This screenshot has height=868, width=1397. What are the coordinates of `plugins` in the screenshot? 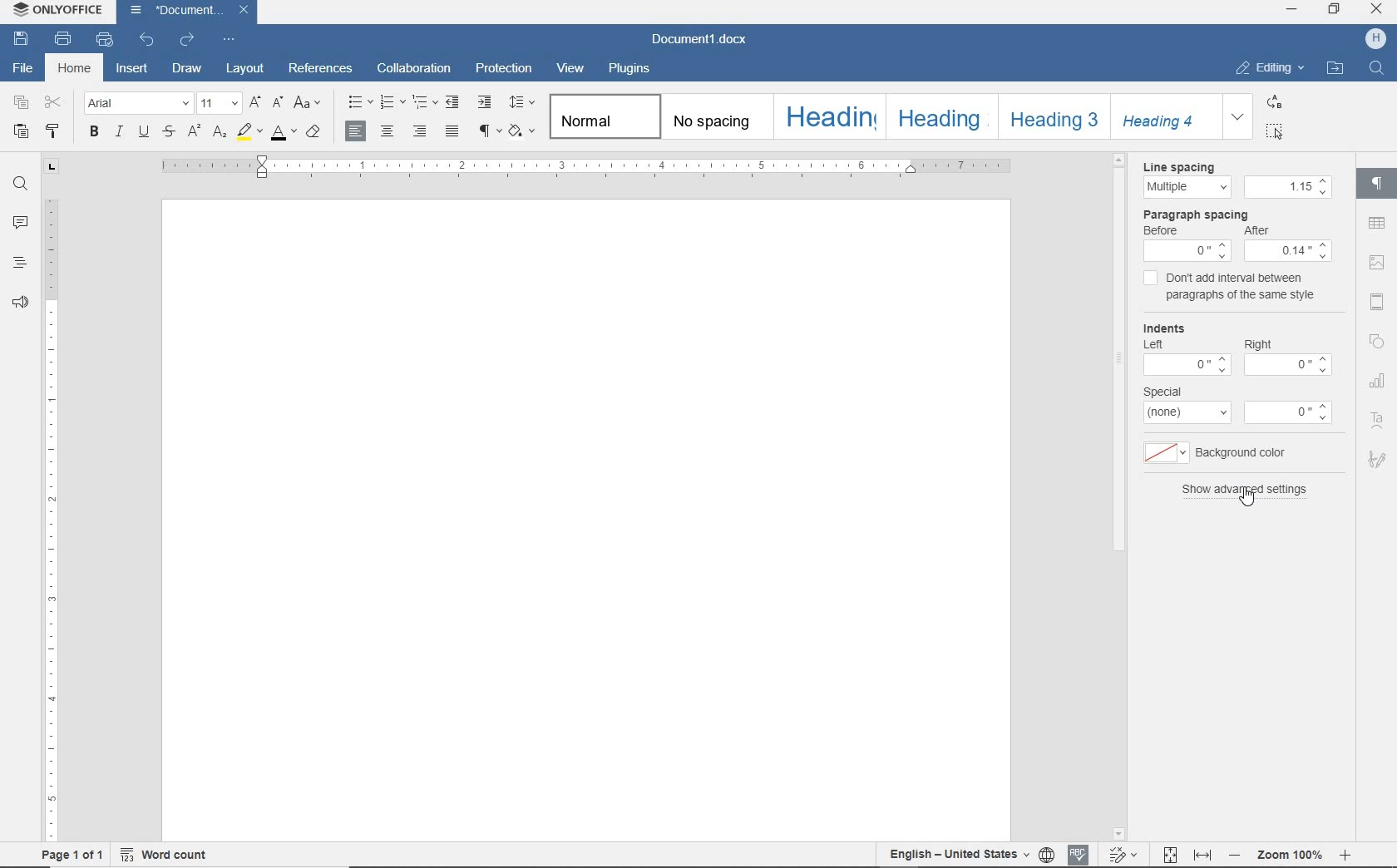 It's located at (636, 69).